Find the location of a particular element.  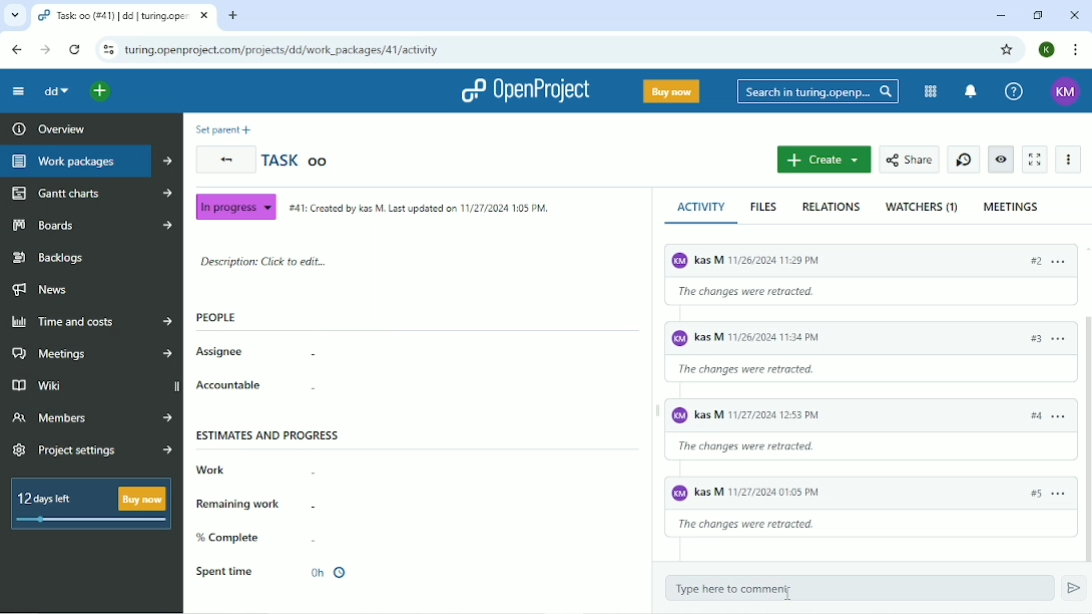

KM Kas M 11/26/2024 11:29 PM is located at coordinates (834, 258).